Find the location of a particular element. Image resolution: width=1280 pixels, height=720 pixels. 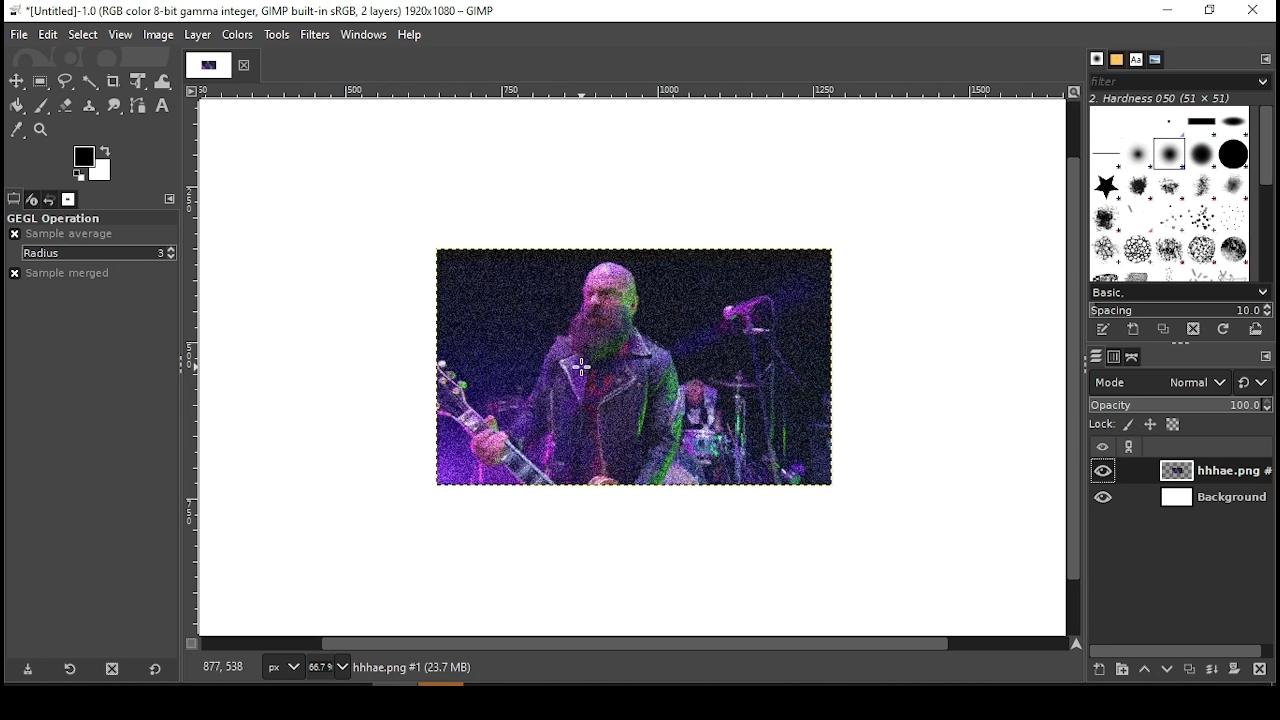

unified transform tool is located at coordinates (138, 81).